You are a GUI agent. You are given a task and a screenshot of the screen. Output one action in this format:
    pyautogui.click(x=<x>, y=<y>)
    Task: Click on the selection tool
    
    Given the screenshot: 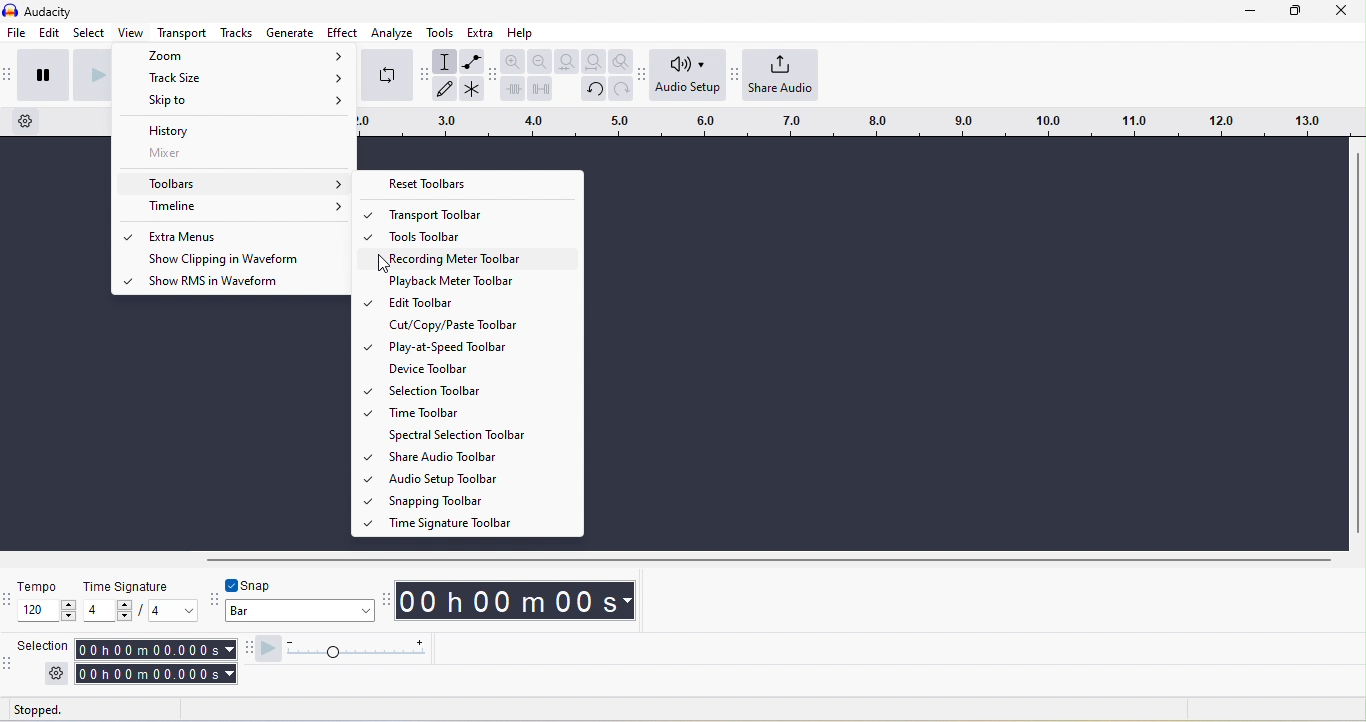 What is the action you would take?
    pyautogui.click(x=444, y=61)
    